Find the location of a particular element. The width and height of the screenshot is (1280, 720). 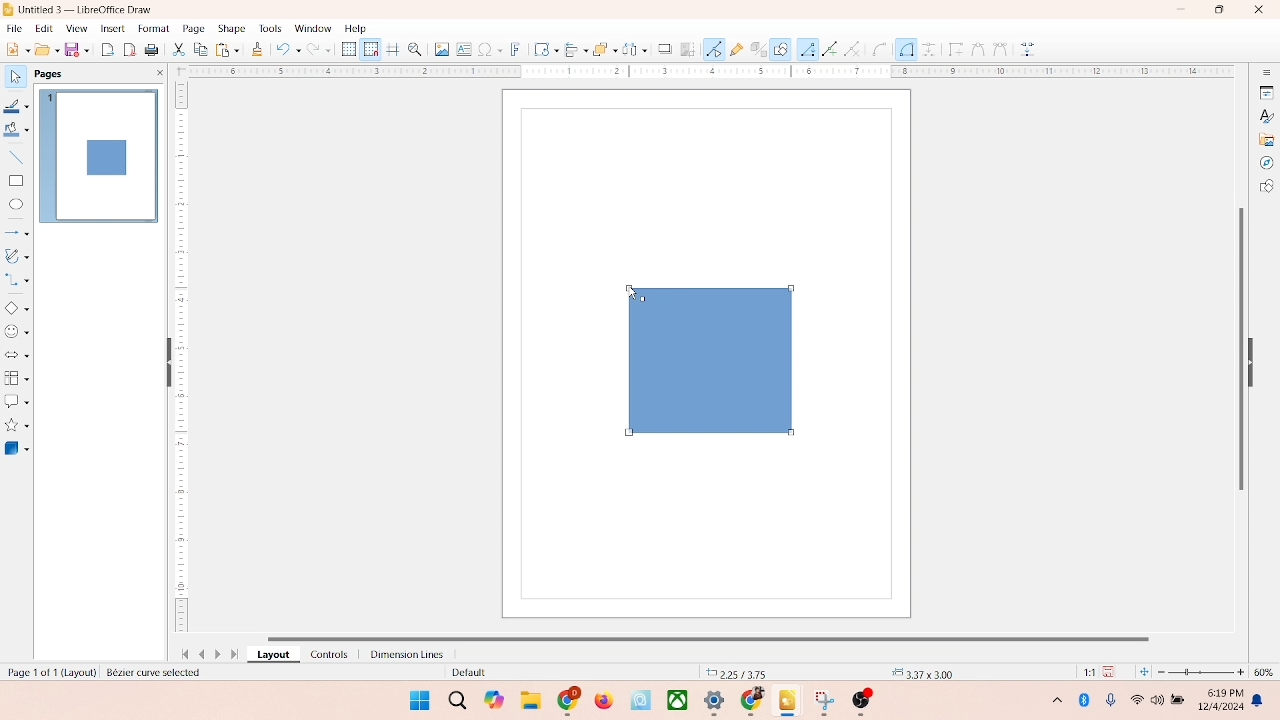

scale bar is located at coordinates (704, 72).